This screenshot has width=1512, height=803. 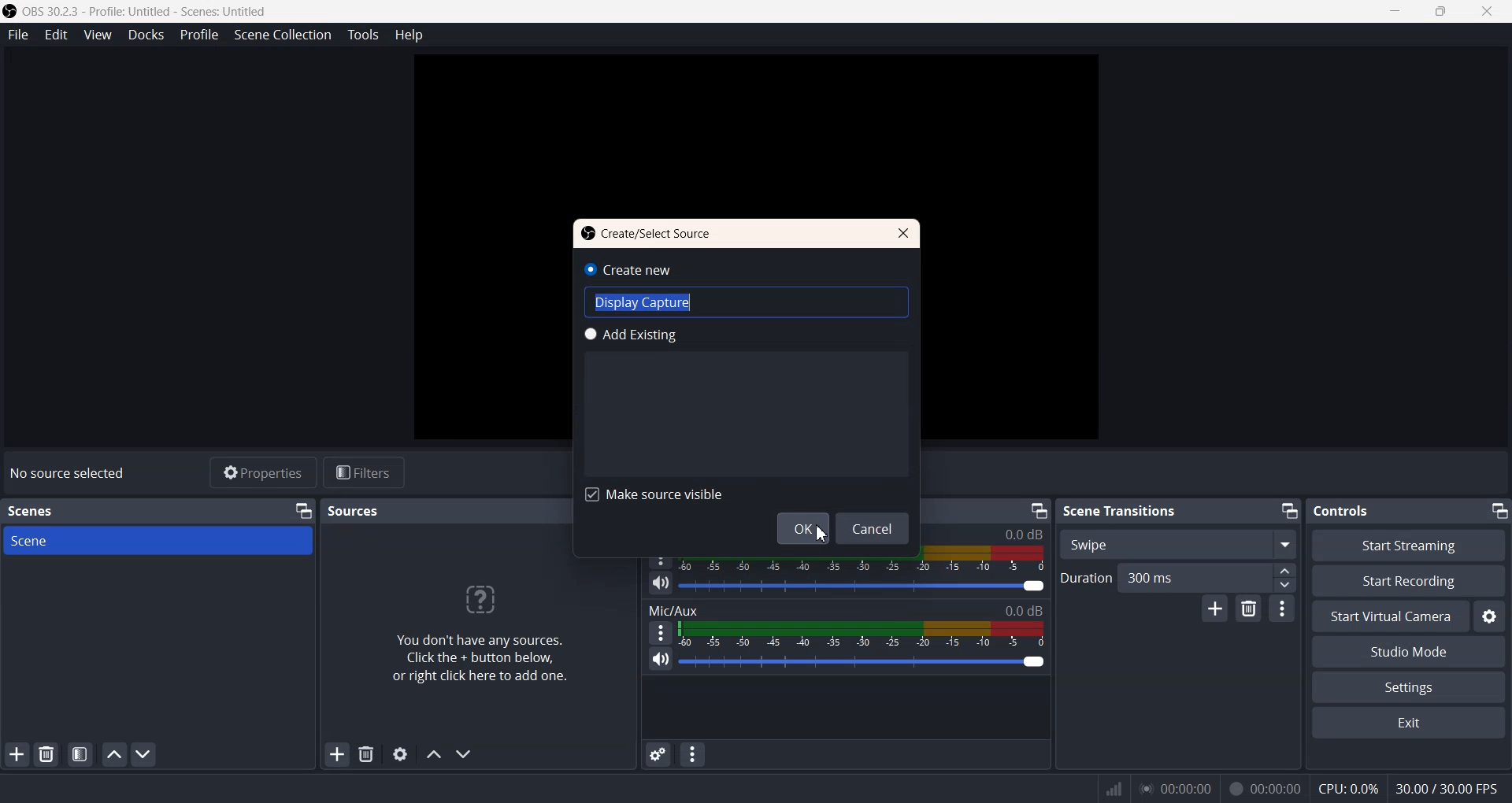 I want to click on Open scene Filter, so click(x=80, y=755).